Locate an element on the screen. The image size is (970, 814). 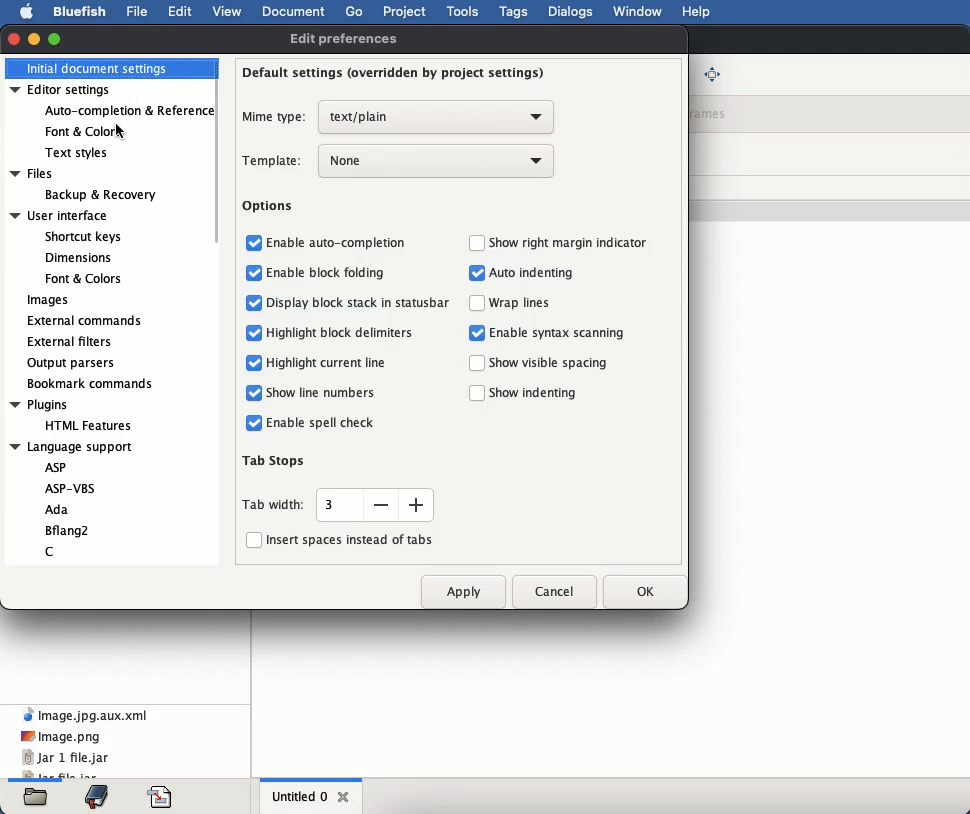
size is located at coordinates (376, 504).